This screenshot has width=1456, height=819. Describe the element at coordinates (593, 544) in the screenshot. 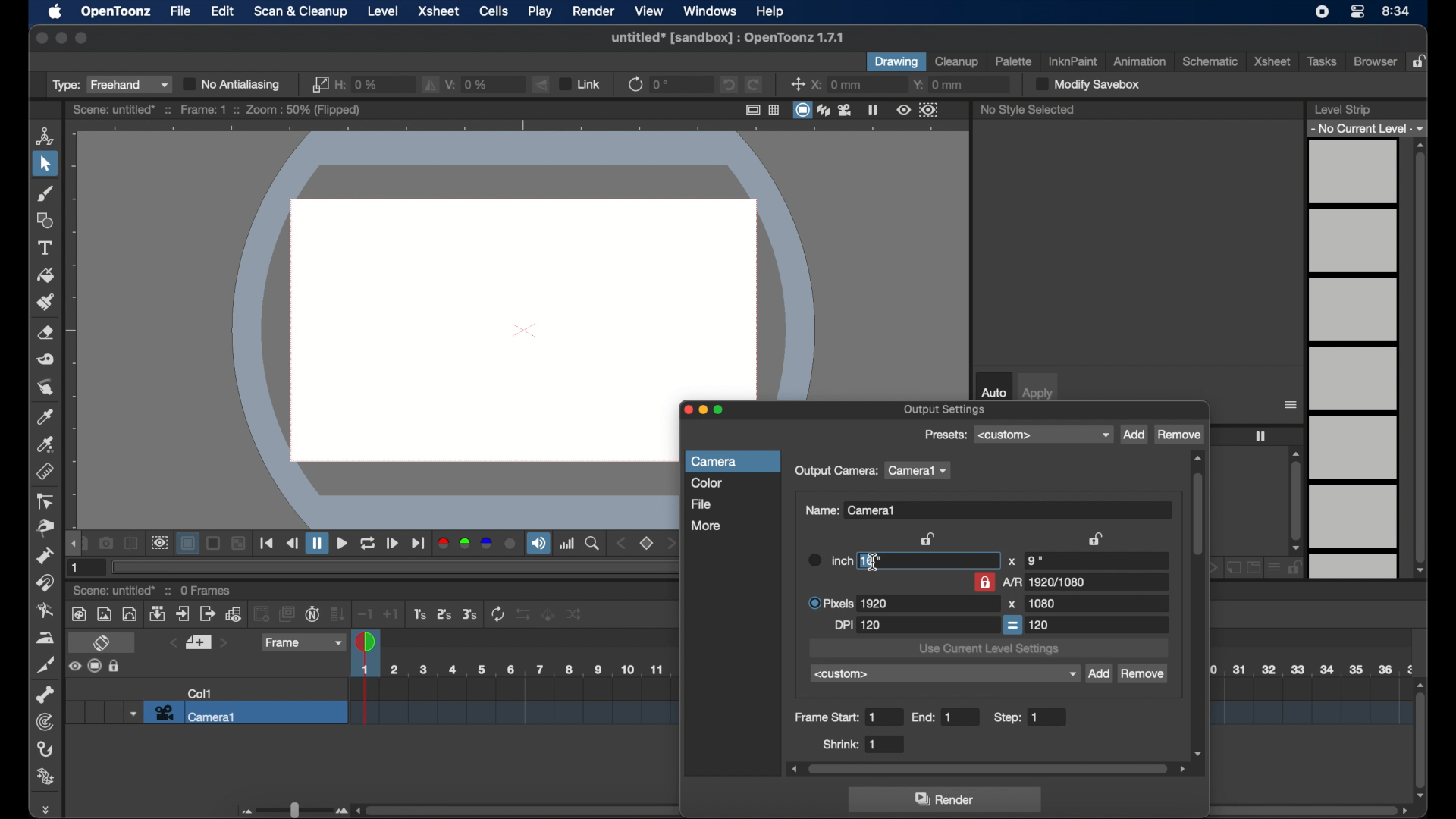

I see `zoom` at that location.